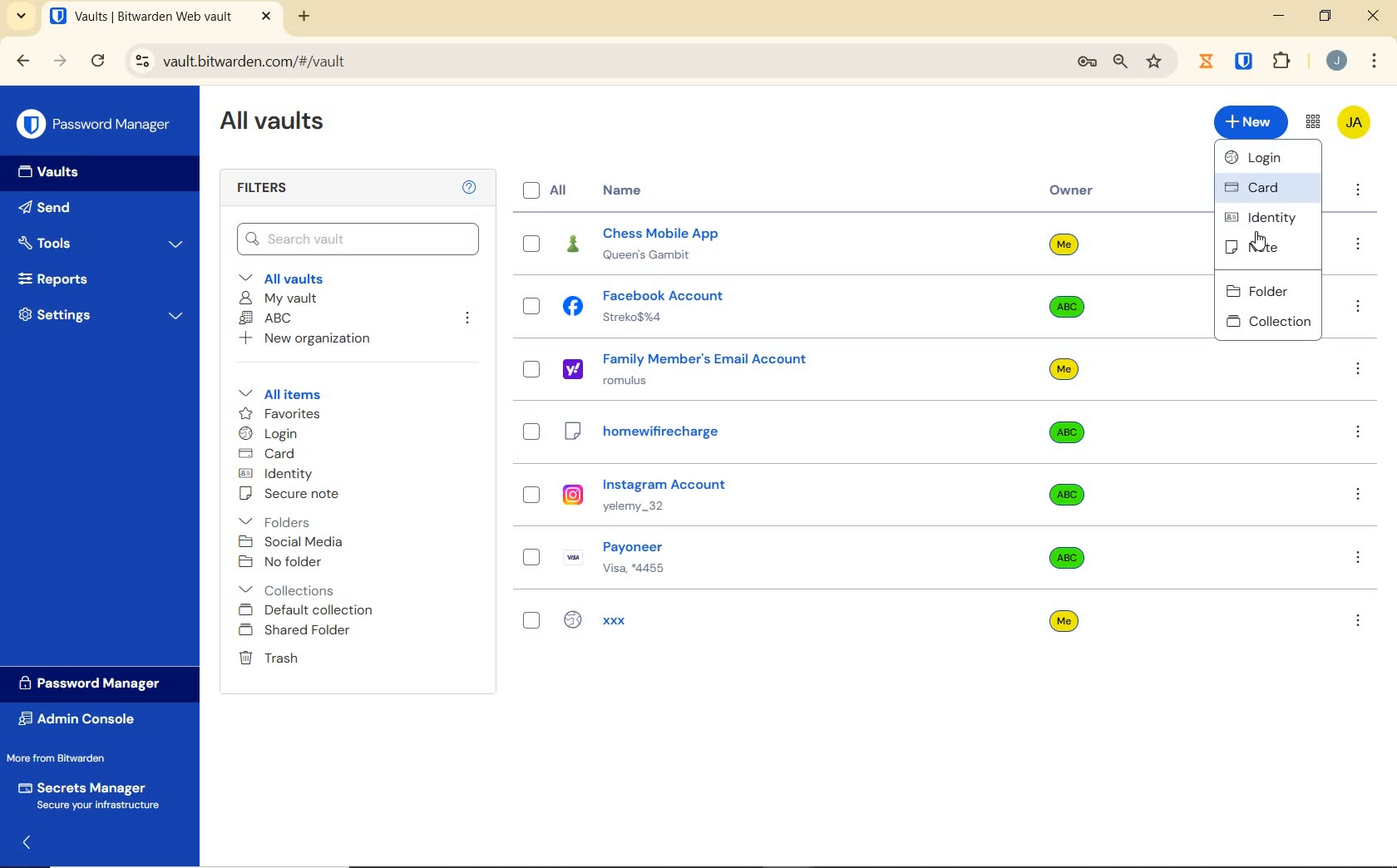  I want to click on All items, so click(292, 394).